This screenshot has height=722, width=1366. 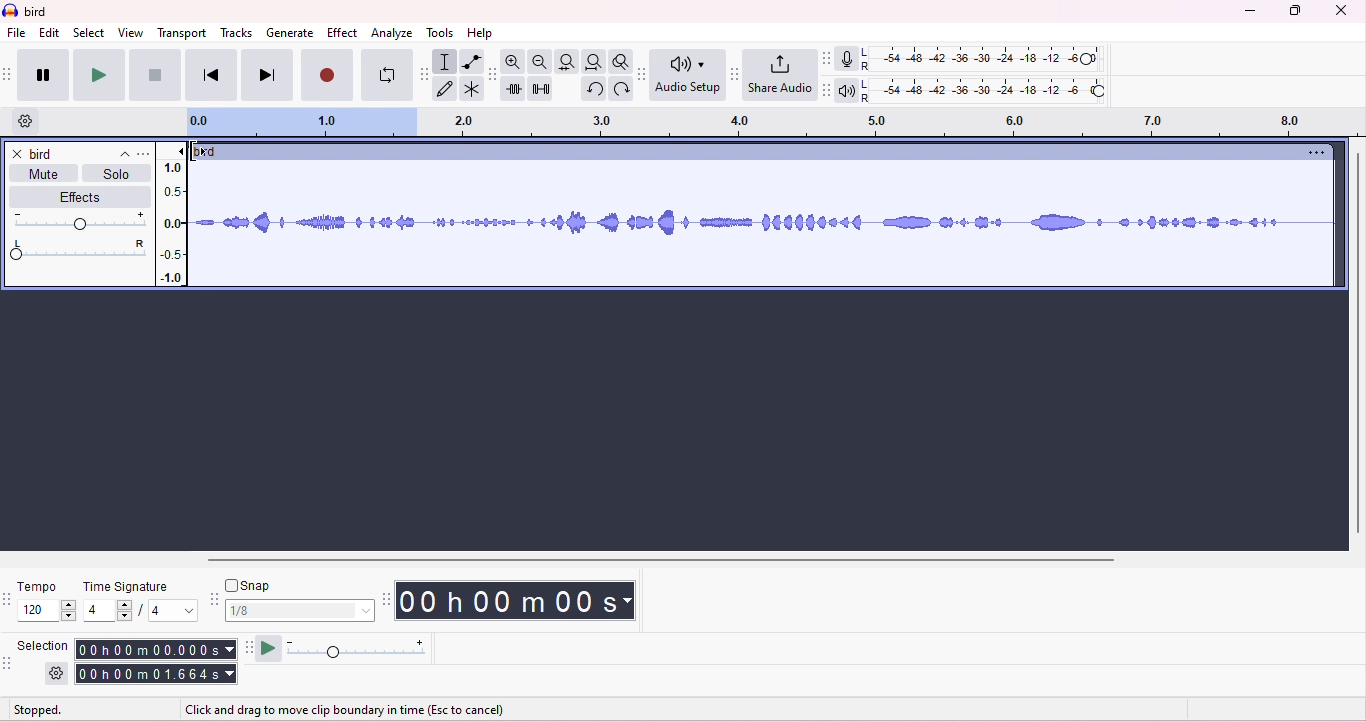 What do you see at coordinates (50, 33) in the screenshot?
I see `edit` at bounding box center [50, 33].